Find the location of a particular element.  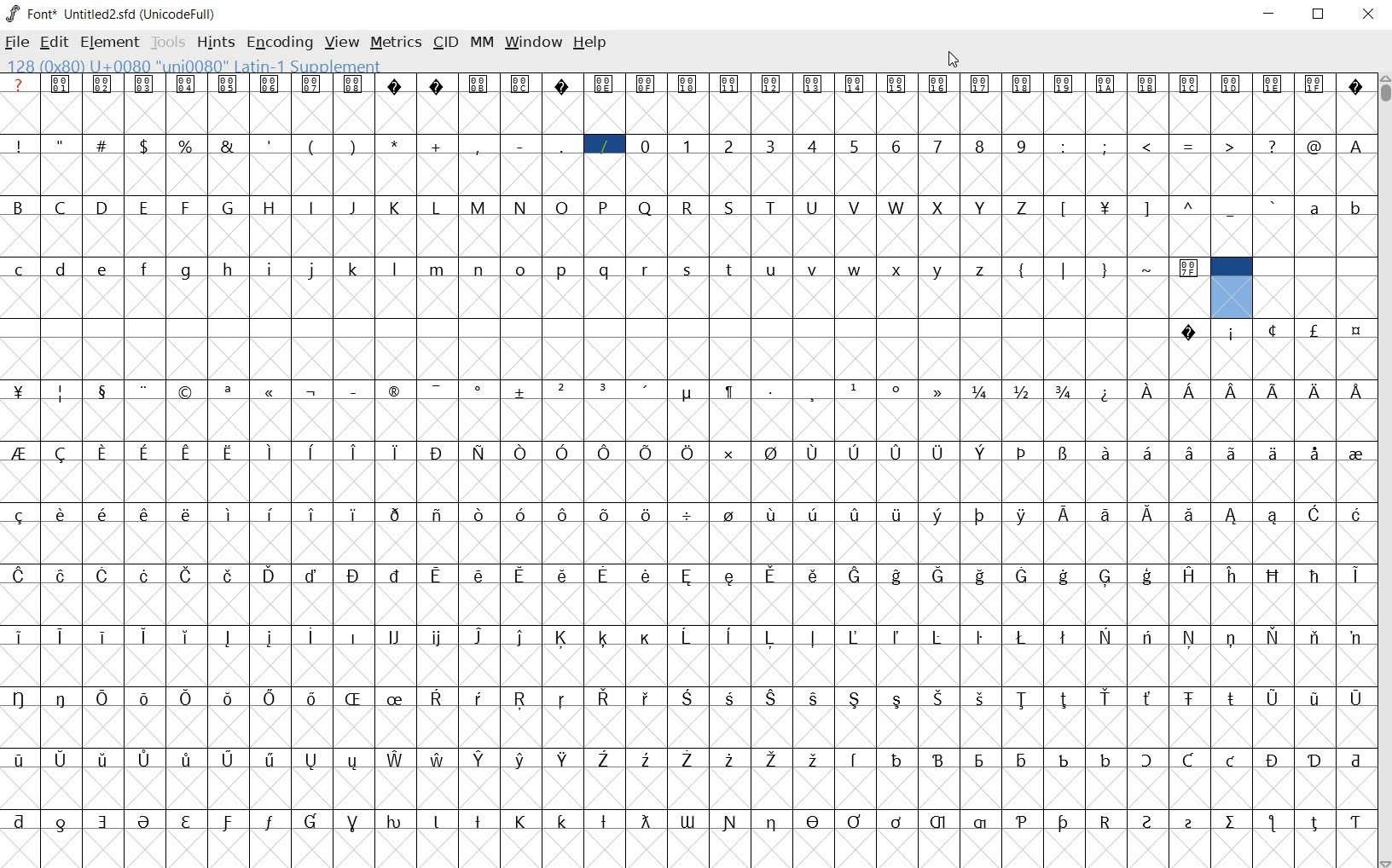

Symbol is located at coordinates (1147, 575).